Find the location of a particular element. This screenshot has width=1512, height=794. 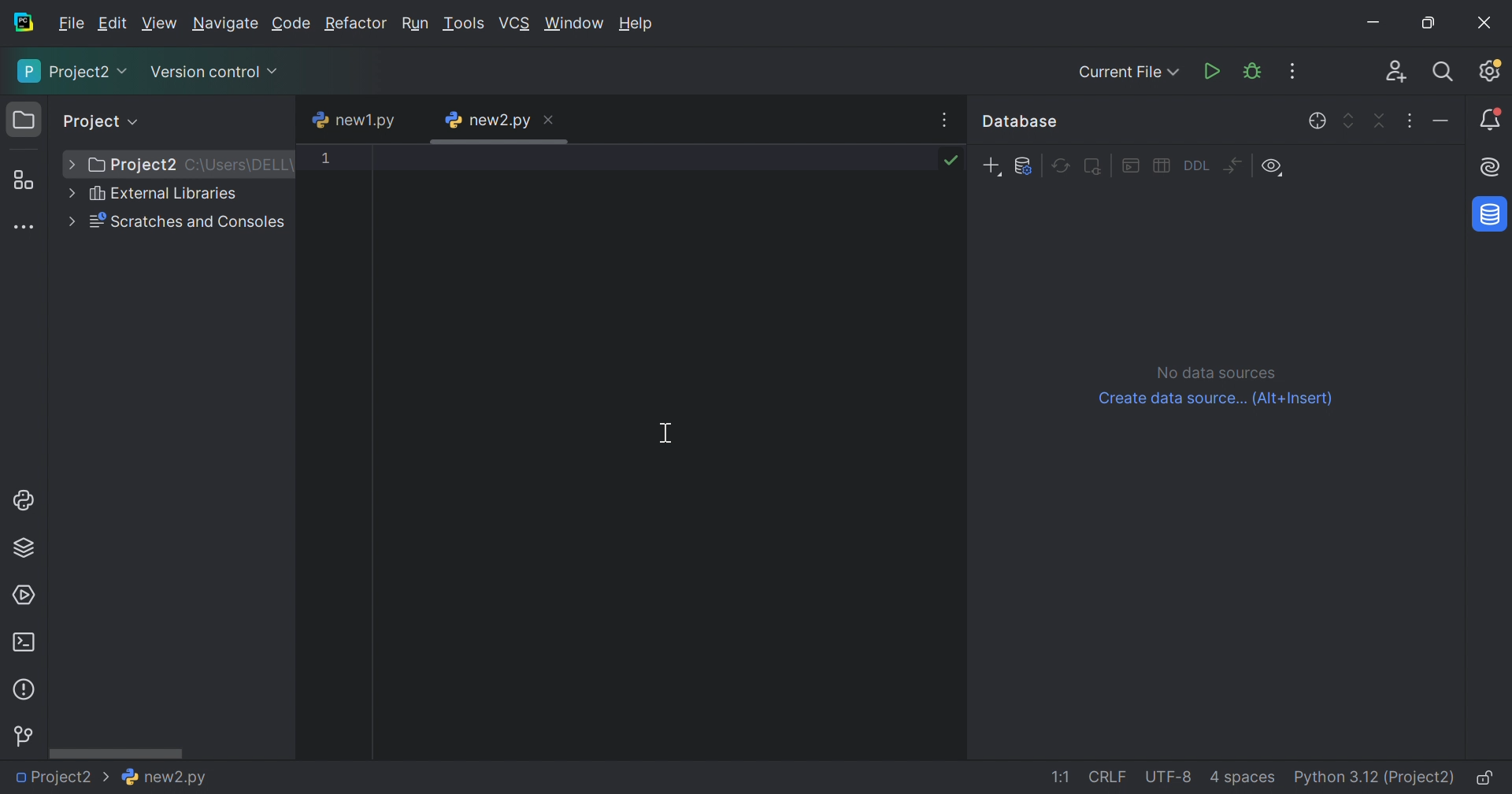

Minimize is located at coordinates (1375, 22).